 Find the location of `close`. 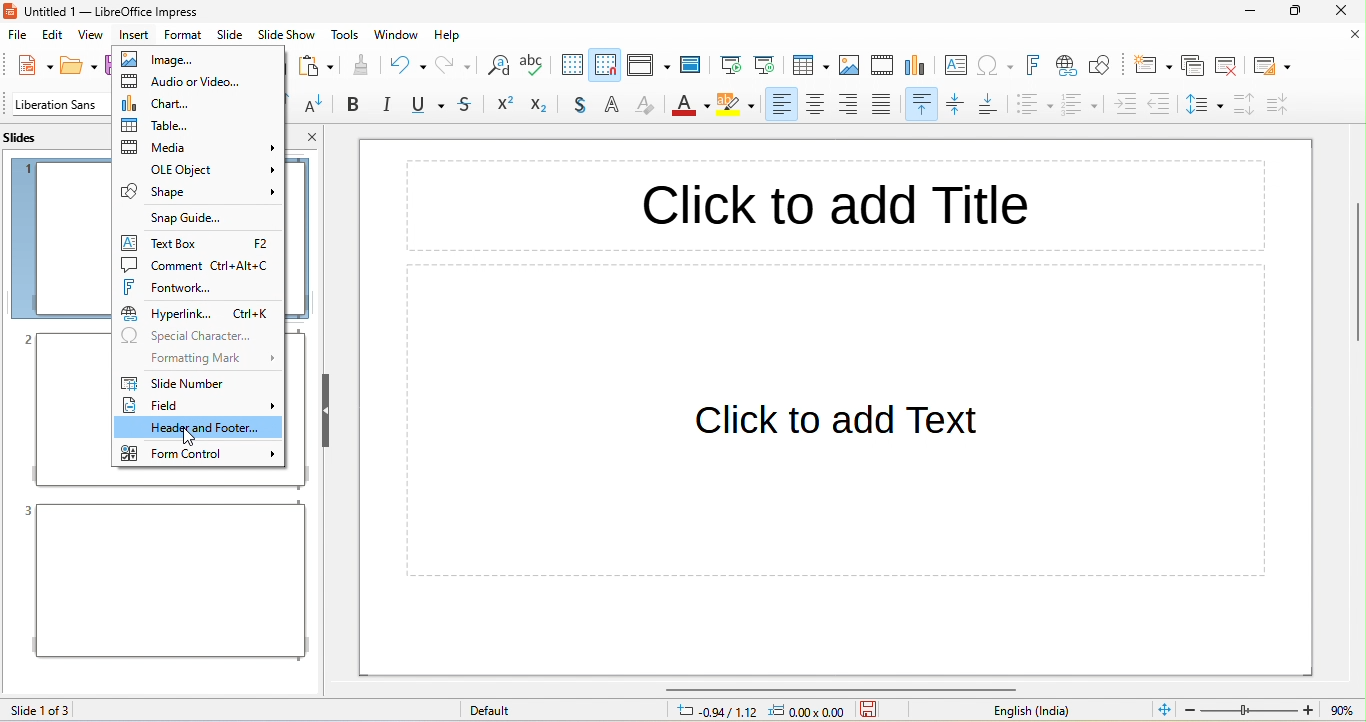

close is located at coordinates (312, 136).